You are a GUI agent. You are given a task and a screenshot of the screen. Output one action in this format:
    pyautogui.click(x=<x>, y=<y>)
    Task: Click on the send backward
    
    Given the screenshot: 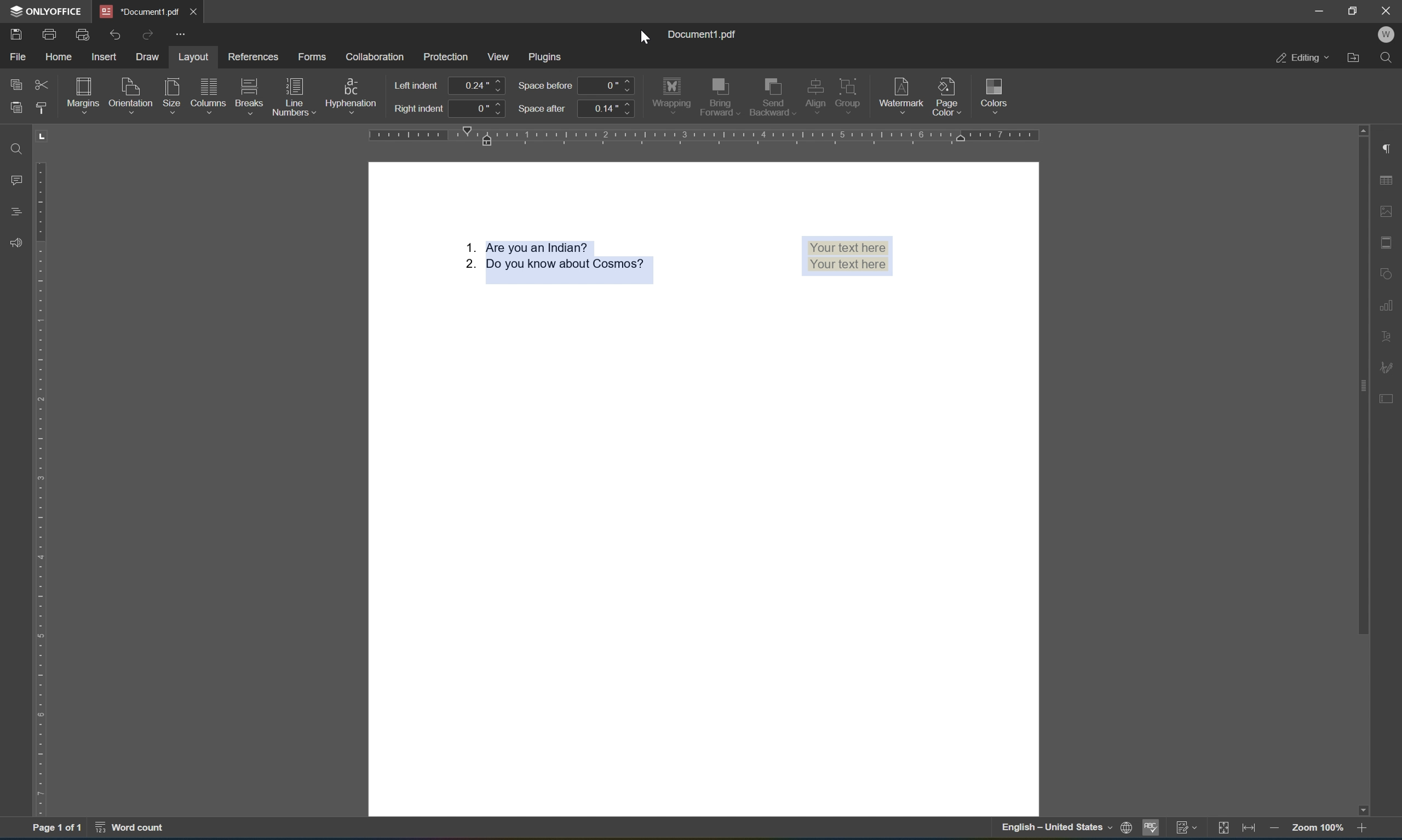 What is the action you would take?
    pyautogui.click(x=772, y=94)
    